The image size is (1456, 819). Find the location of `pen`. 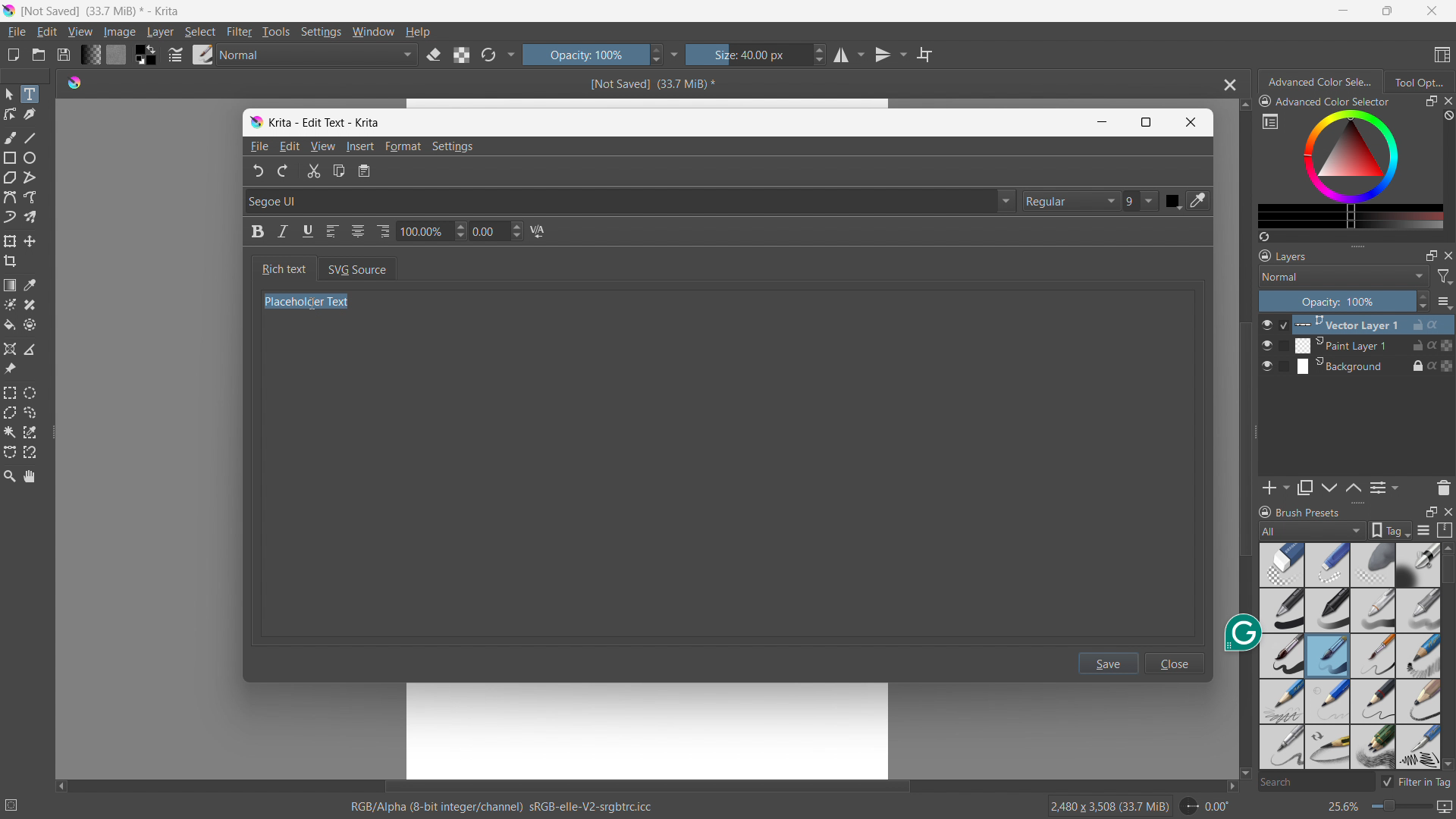

pen is located at coordinates (1328, 610).